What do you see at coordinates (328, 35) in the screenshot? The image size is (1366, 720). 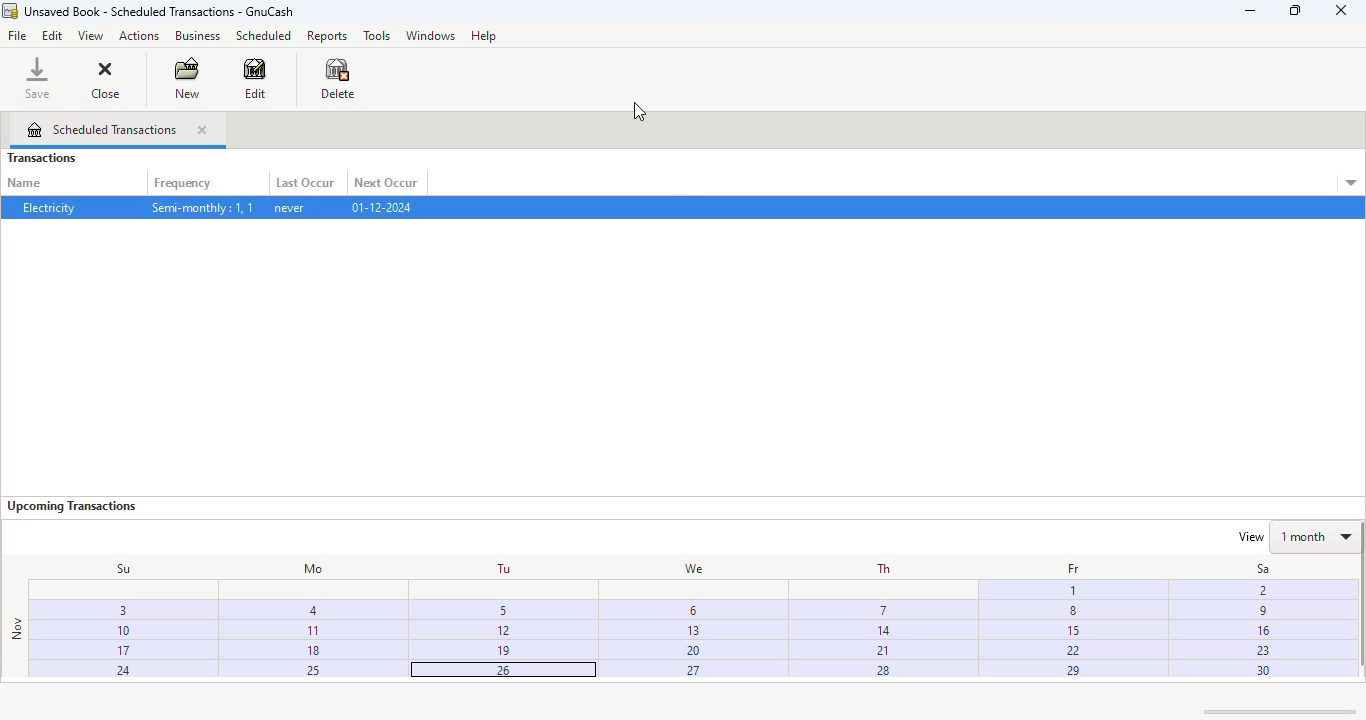 I see `reports` at bounding box center [328, 35].